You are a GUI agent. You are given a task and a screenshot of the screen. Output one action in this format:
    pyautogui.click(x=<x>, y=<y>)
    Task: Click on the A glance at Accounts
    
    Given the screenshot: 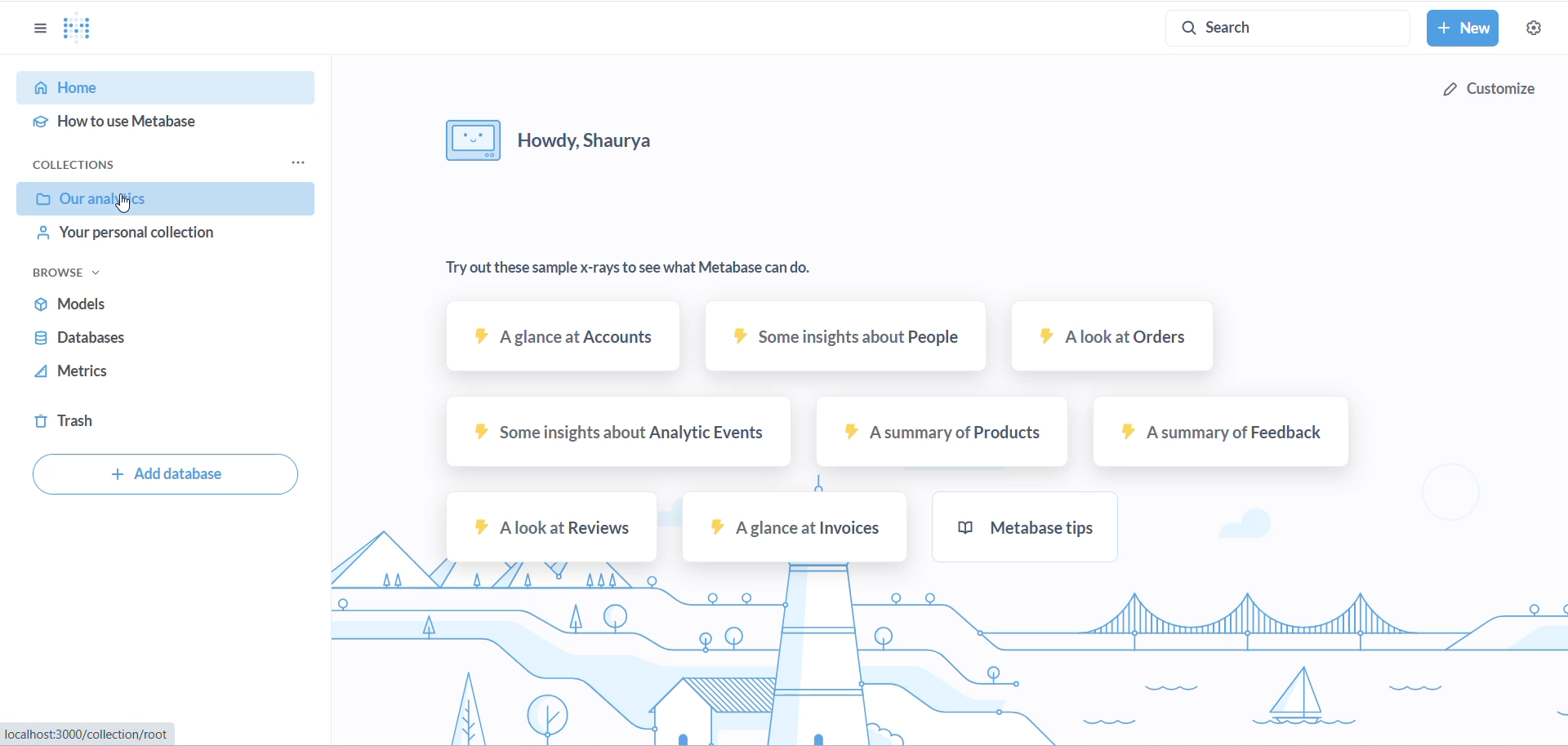 What is the action you would take?
    pyautogui.click(x=560, y=340)
    